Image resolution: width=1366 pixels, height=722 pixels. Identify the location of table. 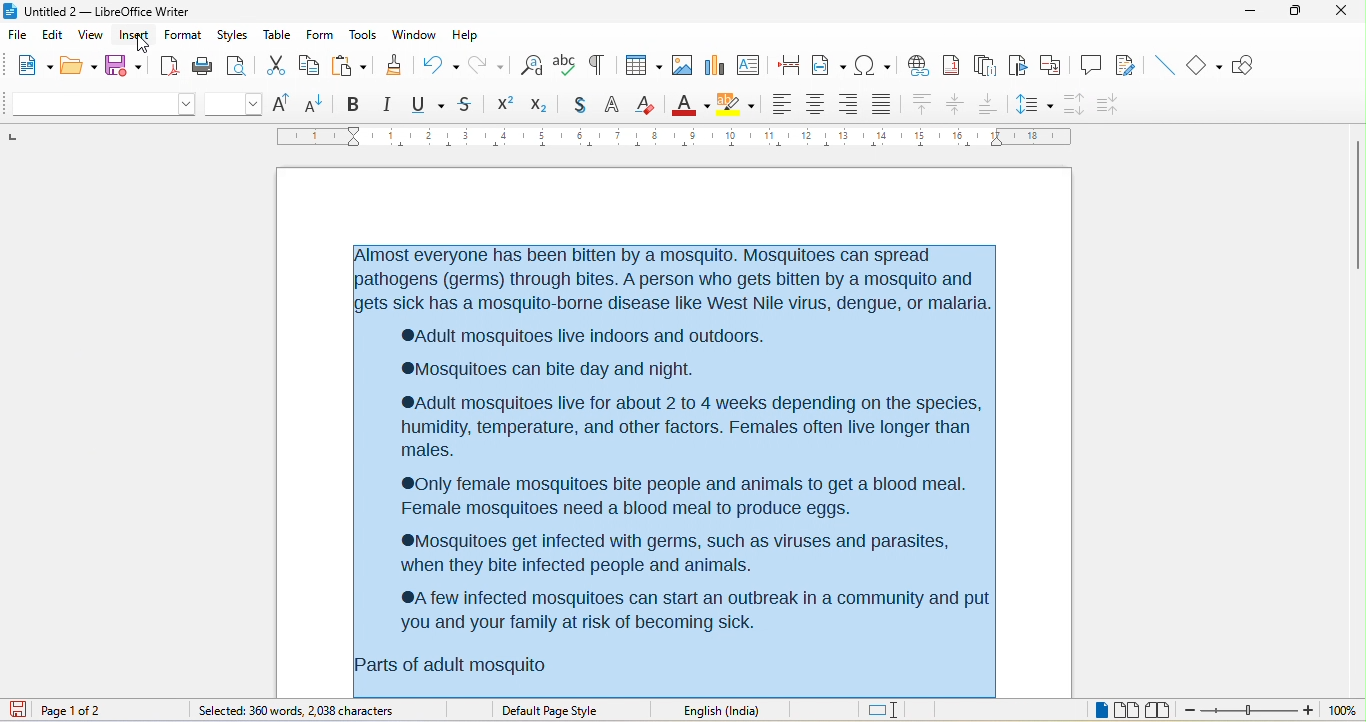
(641, 64).